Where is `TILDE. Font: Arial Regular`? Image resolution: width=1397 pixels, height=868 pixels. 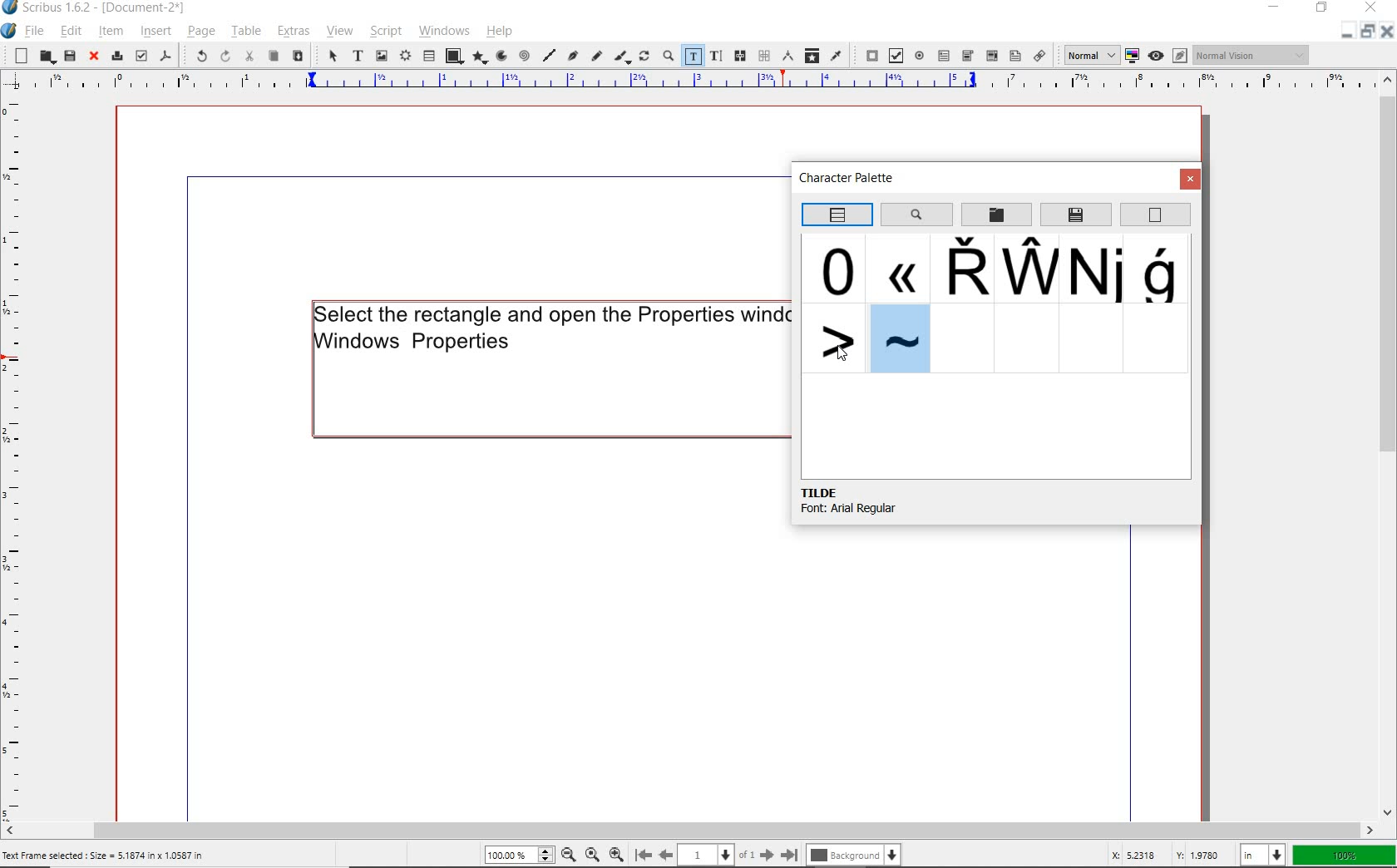 TILDE. Font: Arial Regular is located at coordinates (873, 501).